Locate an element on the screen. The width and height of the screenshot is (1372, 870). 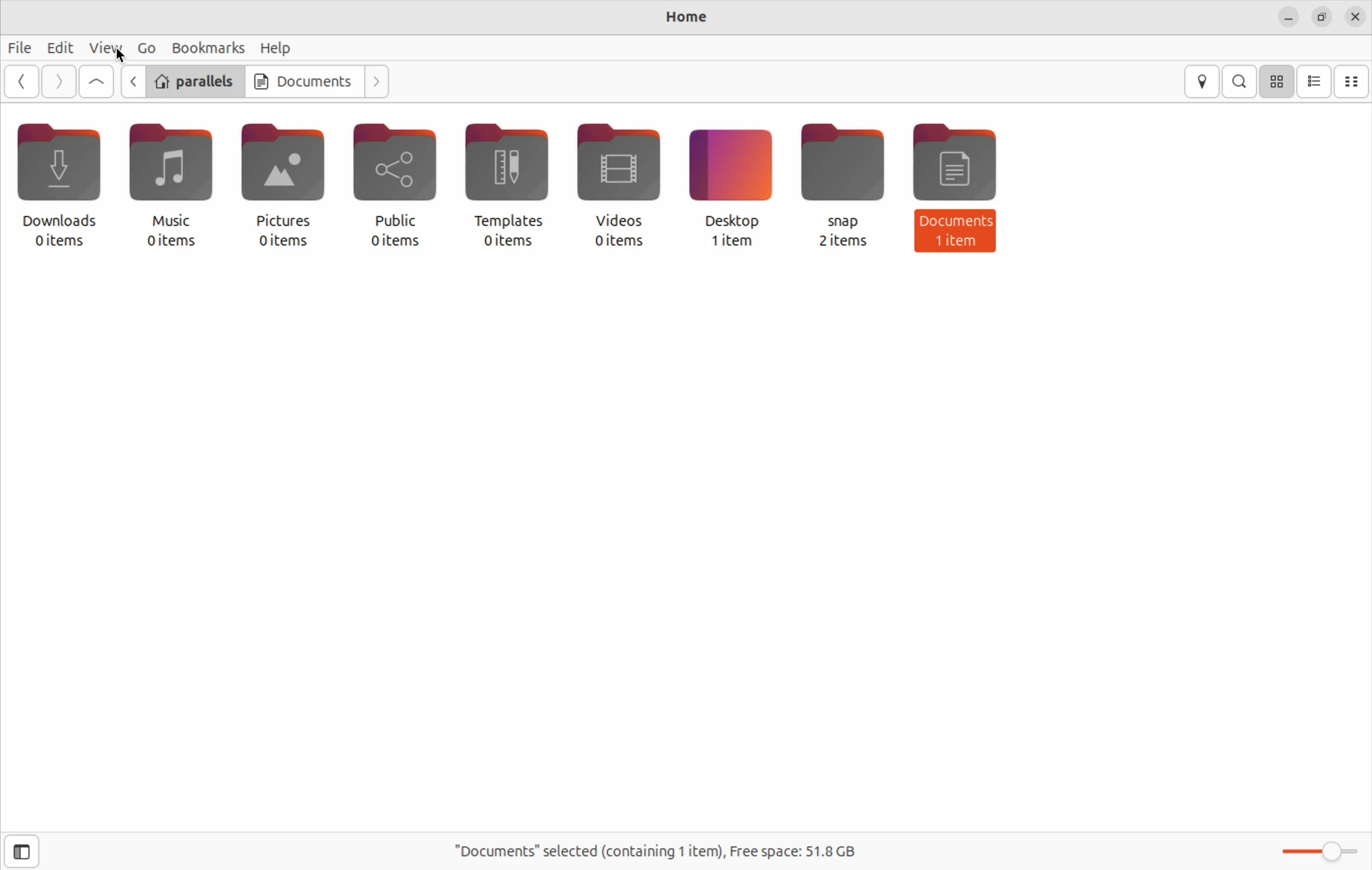
minimize is located at coordinates (1288, 18).